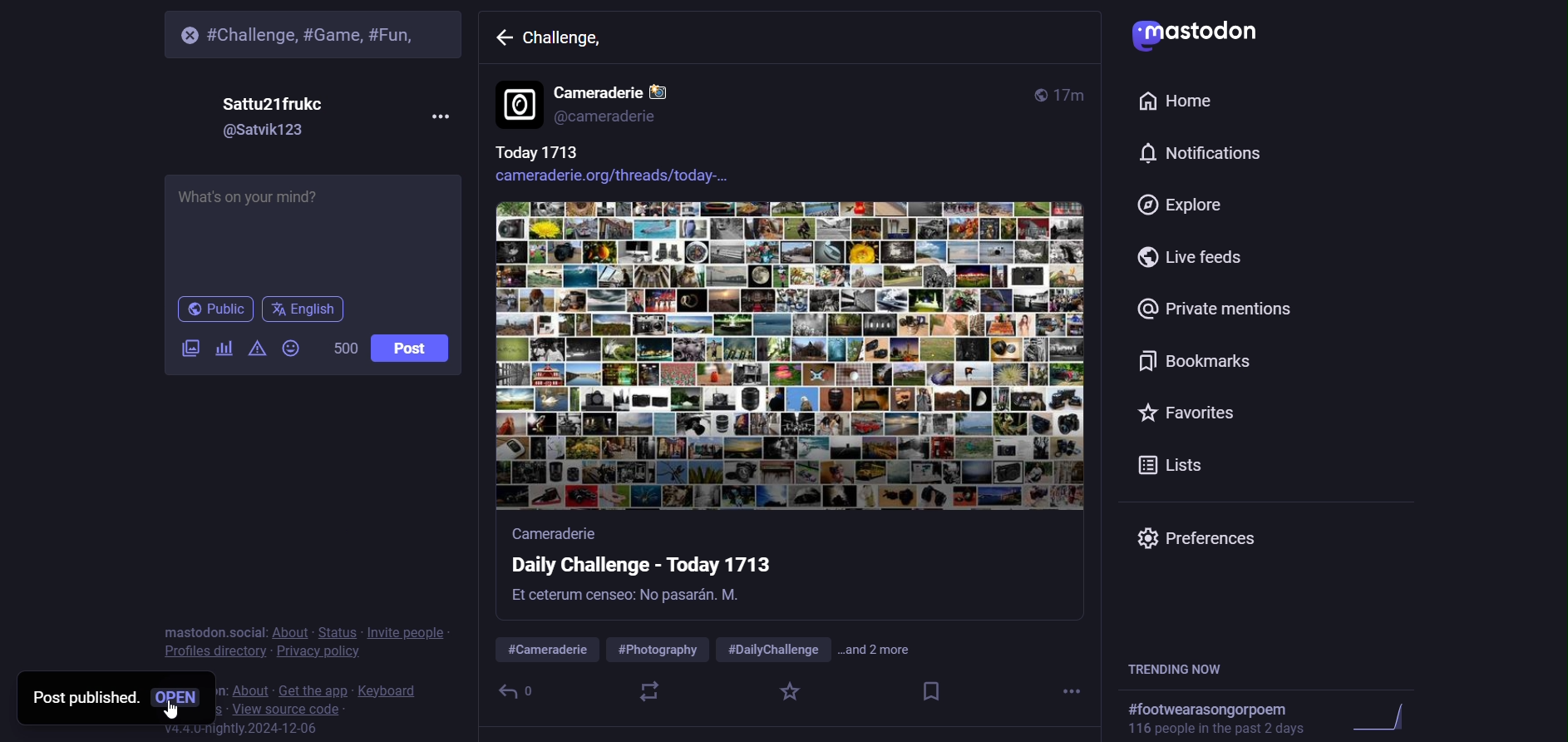  Describe the element at coordinates (269, 132) in the screenshot. I see `@Satvik123` at that location.